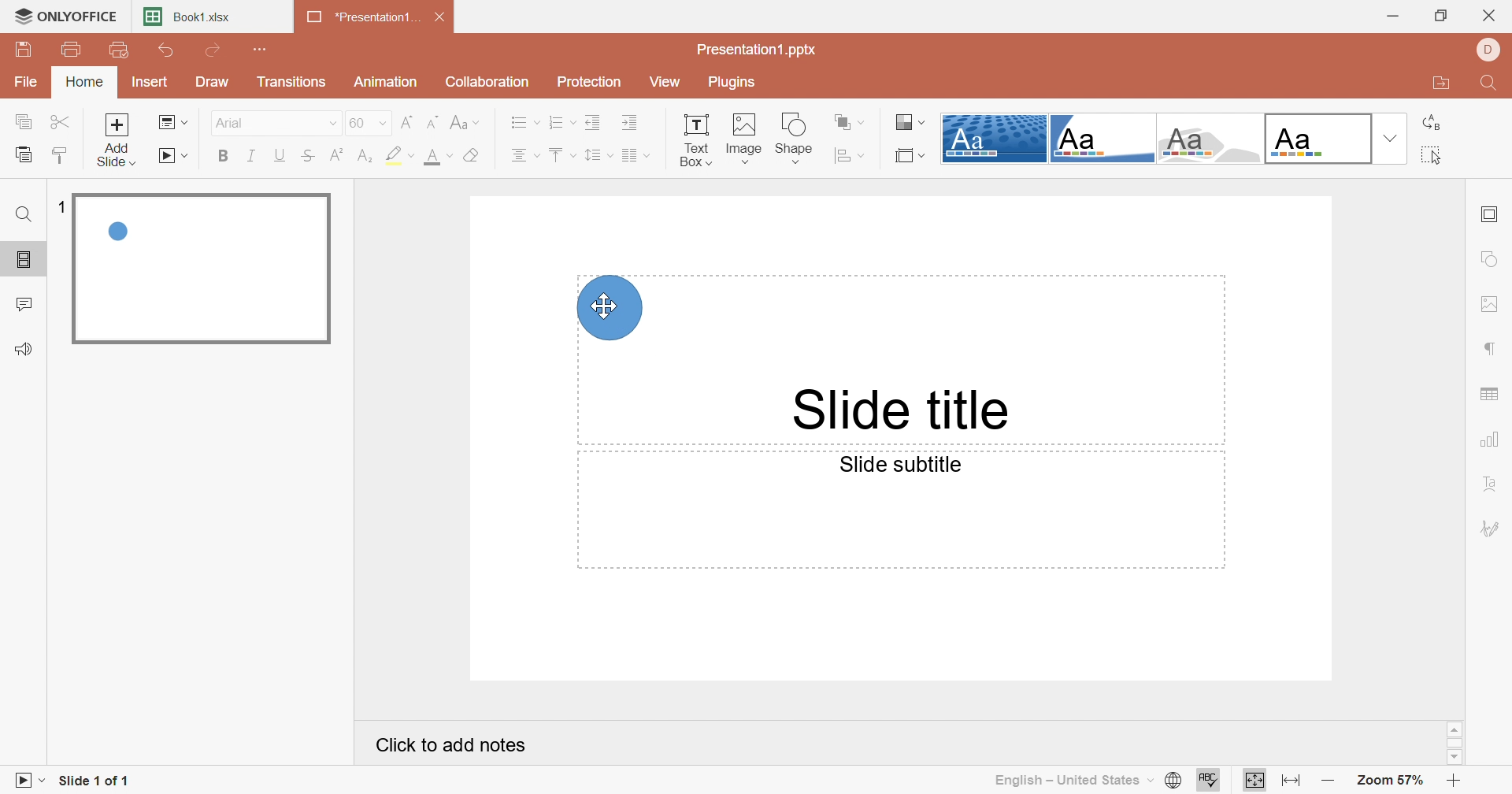  What do you see at coordinates (561, 121) in the screenshot?
I see `Numbering` at bounding box center [561, 121].